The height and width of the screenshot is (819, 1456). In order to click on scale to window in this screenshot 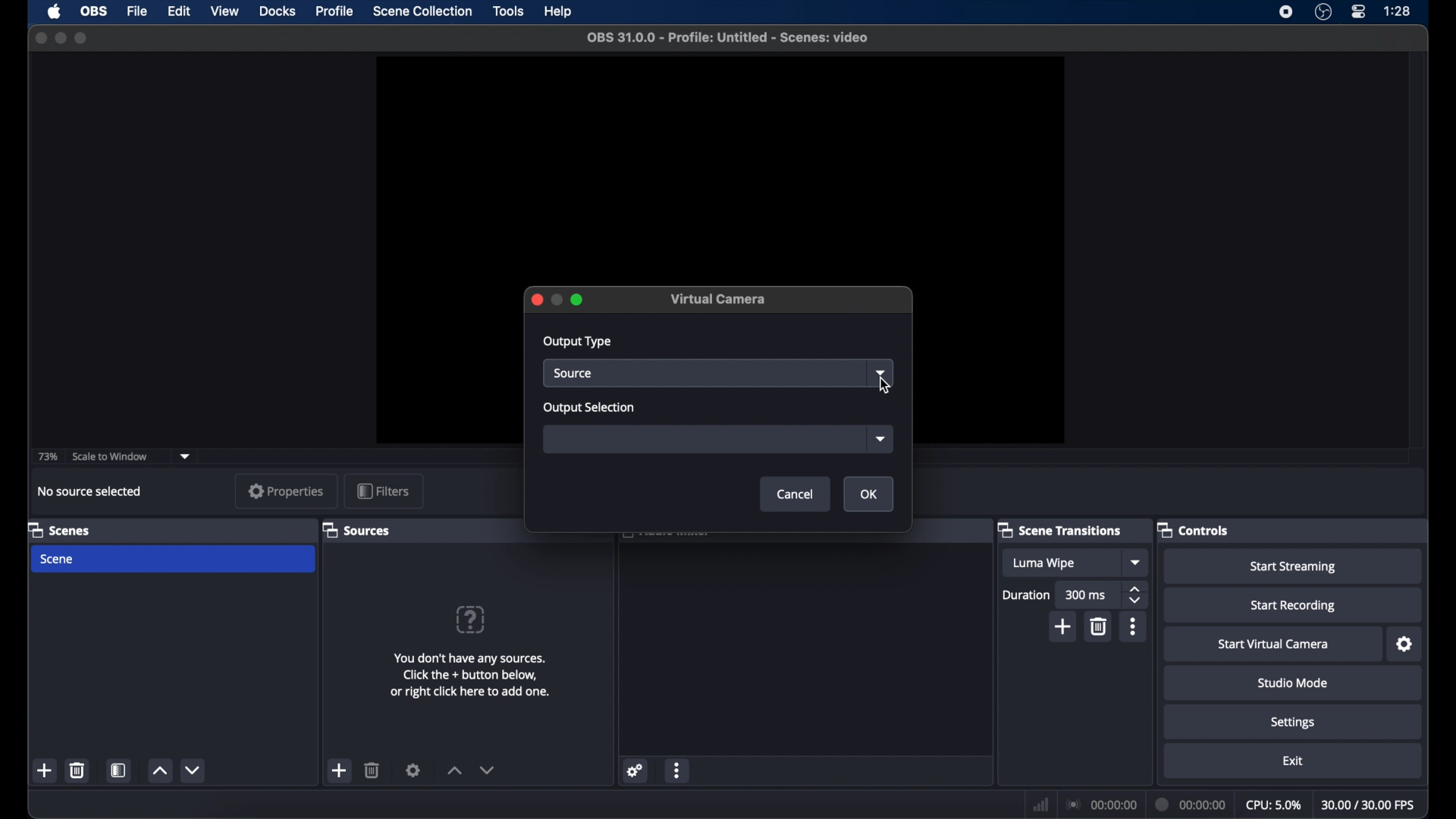, I will do `click(110, 457)`.